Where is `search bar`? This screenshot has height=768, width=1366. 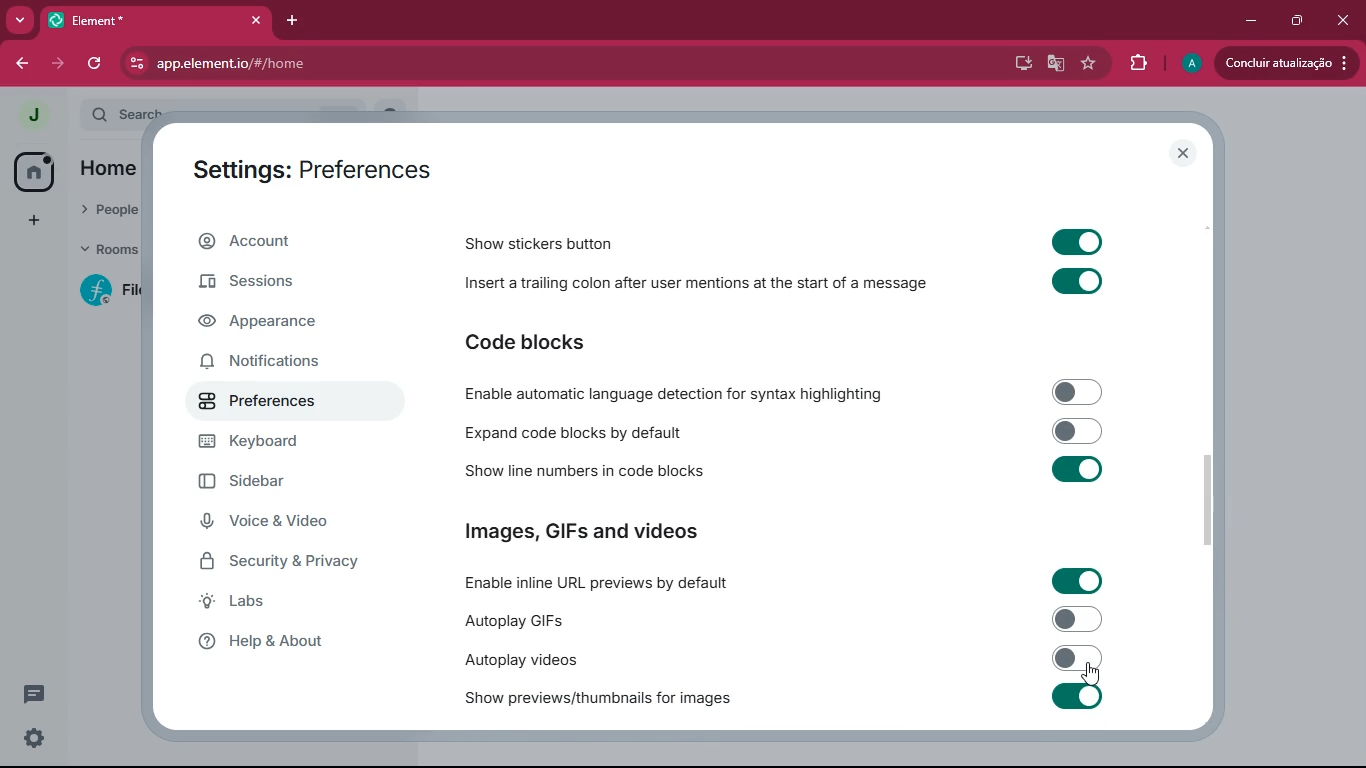
search bar is located at coordinates (123, 113).